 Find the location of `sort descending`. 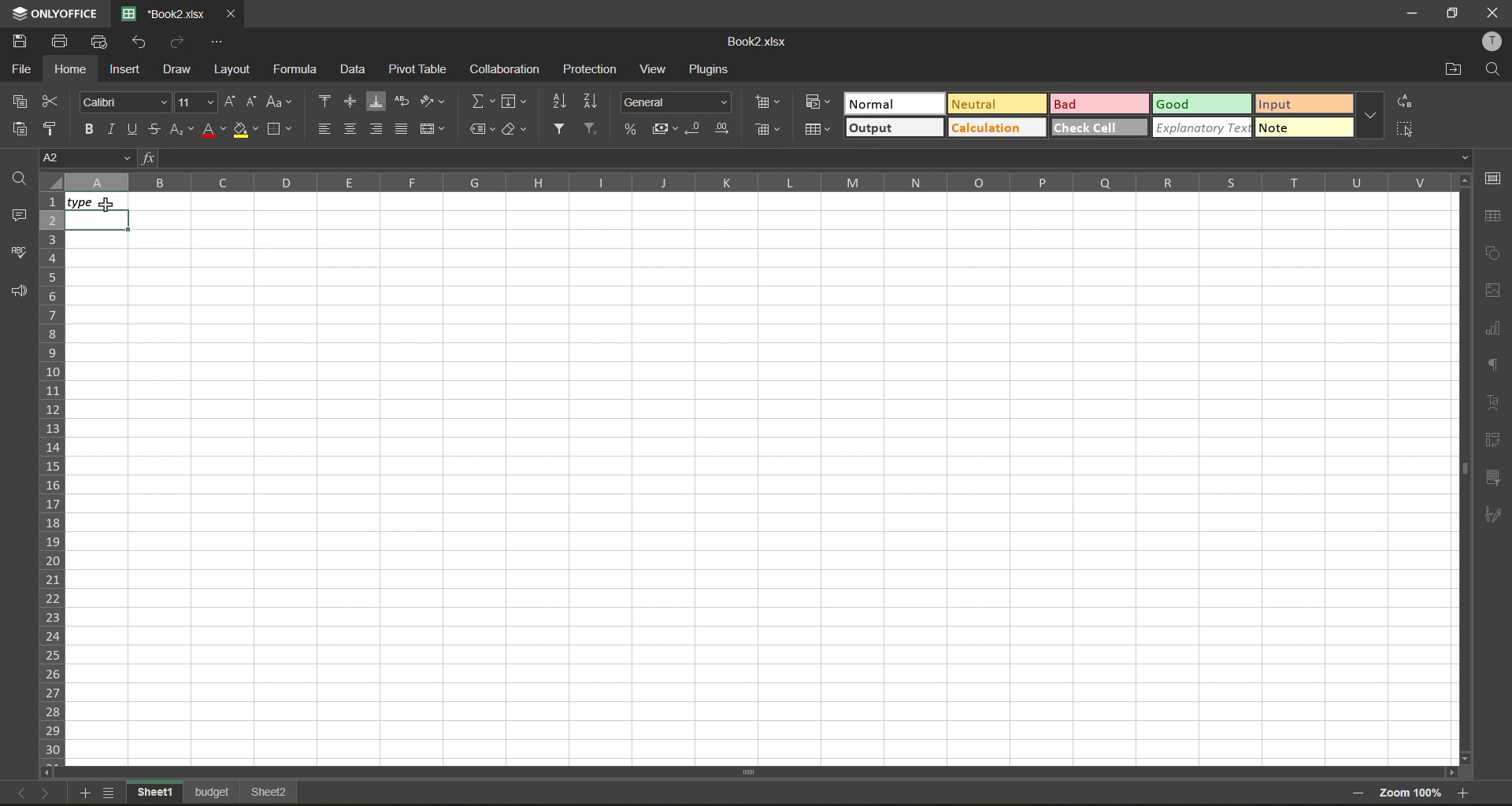

sort descending is located at coordinates (592, 100).